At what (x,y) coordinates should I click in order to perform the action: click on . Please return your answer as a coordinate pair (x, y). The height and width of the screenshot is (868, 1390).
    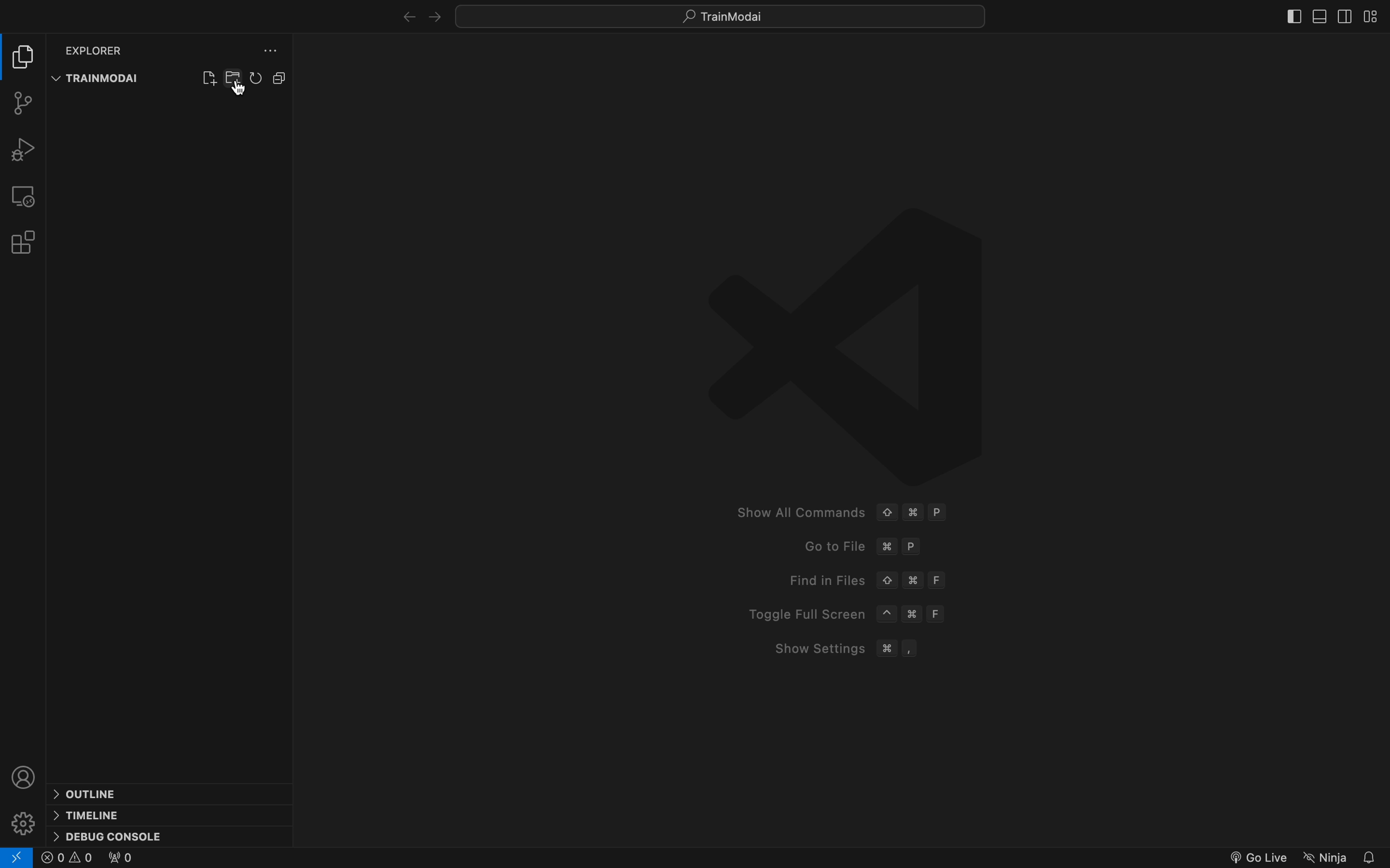
    Looking at the image, I should click on (1327, 854).